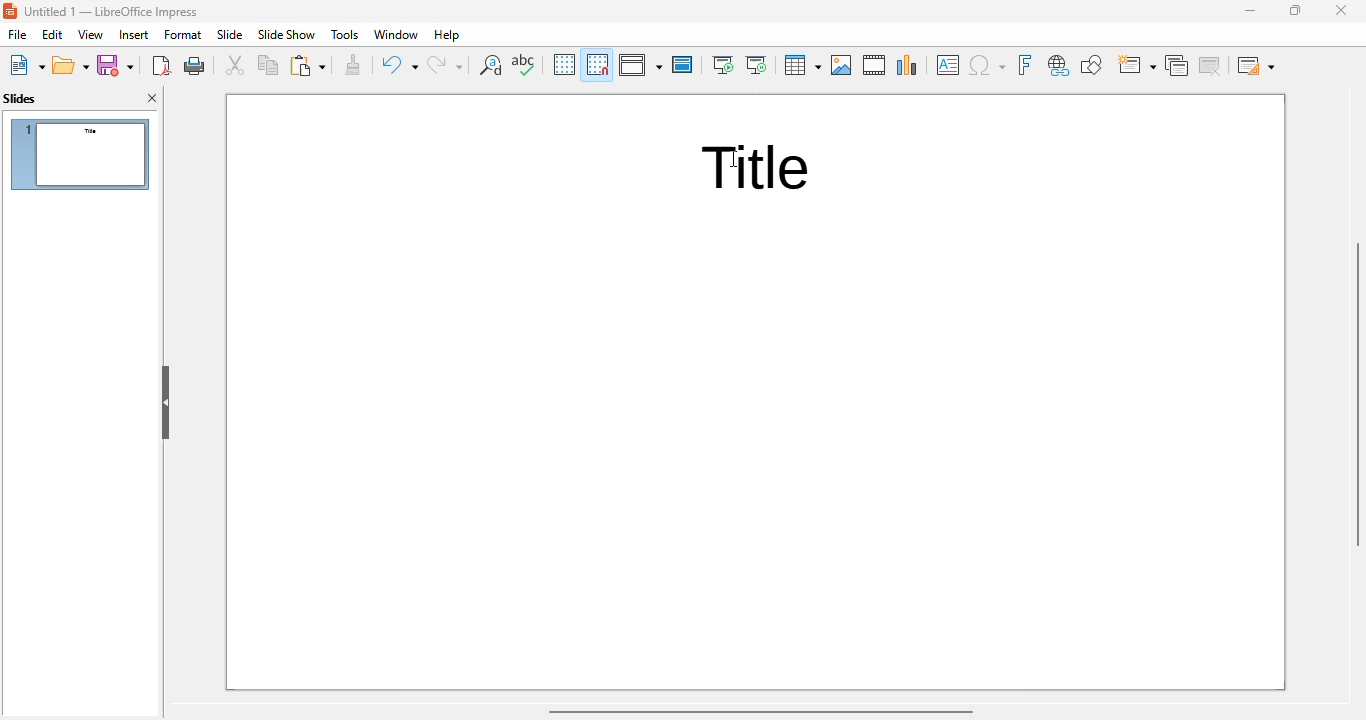 The image size is (1366, 720). I want to click on minimize, so click(1250, 11).